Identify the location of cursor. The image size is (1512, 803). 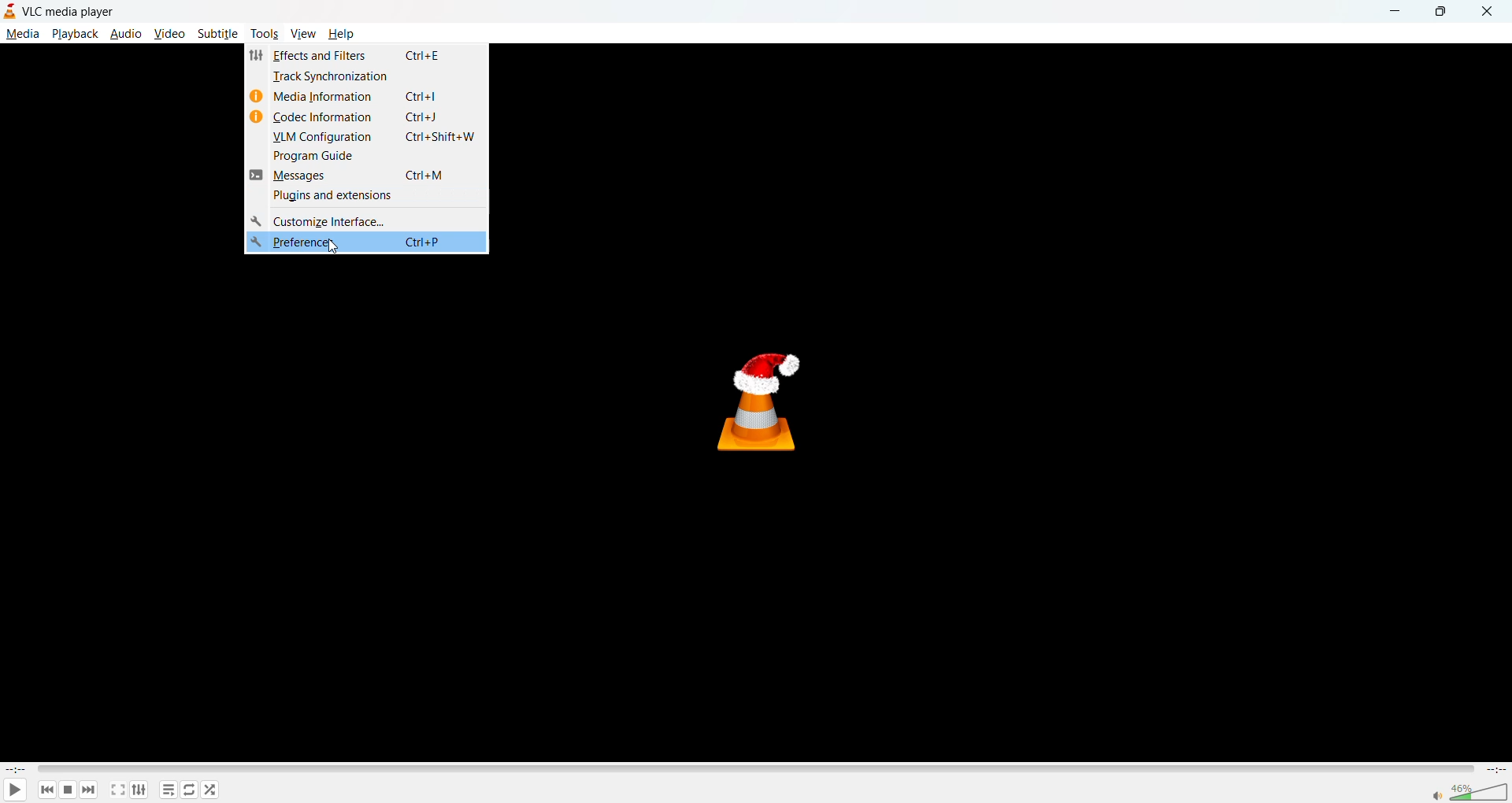
(335, 246).